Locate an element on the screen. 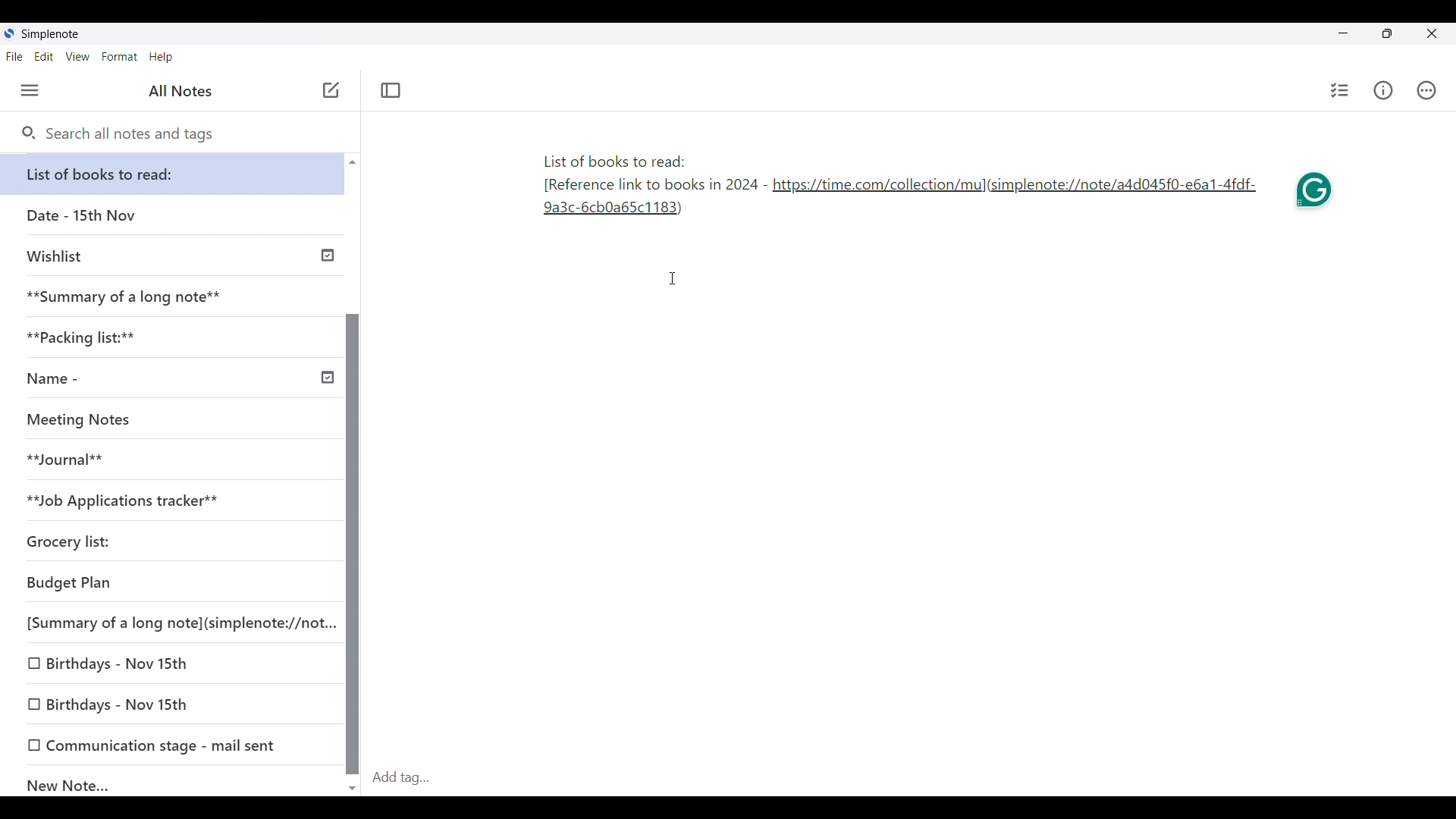 This screenshot has width=1456, height=819. Grammarly extension is located at coordinates (1316, 193).